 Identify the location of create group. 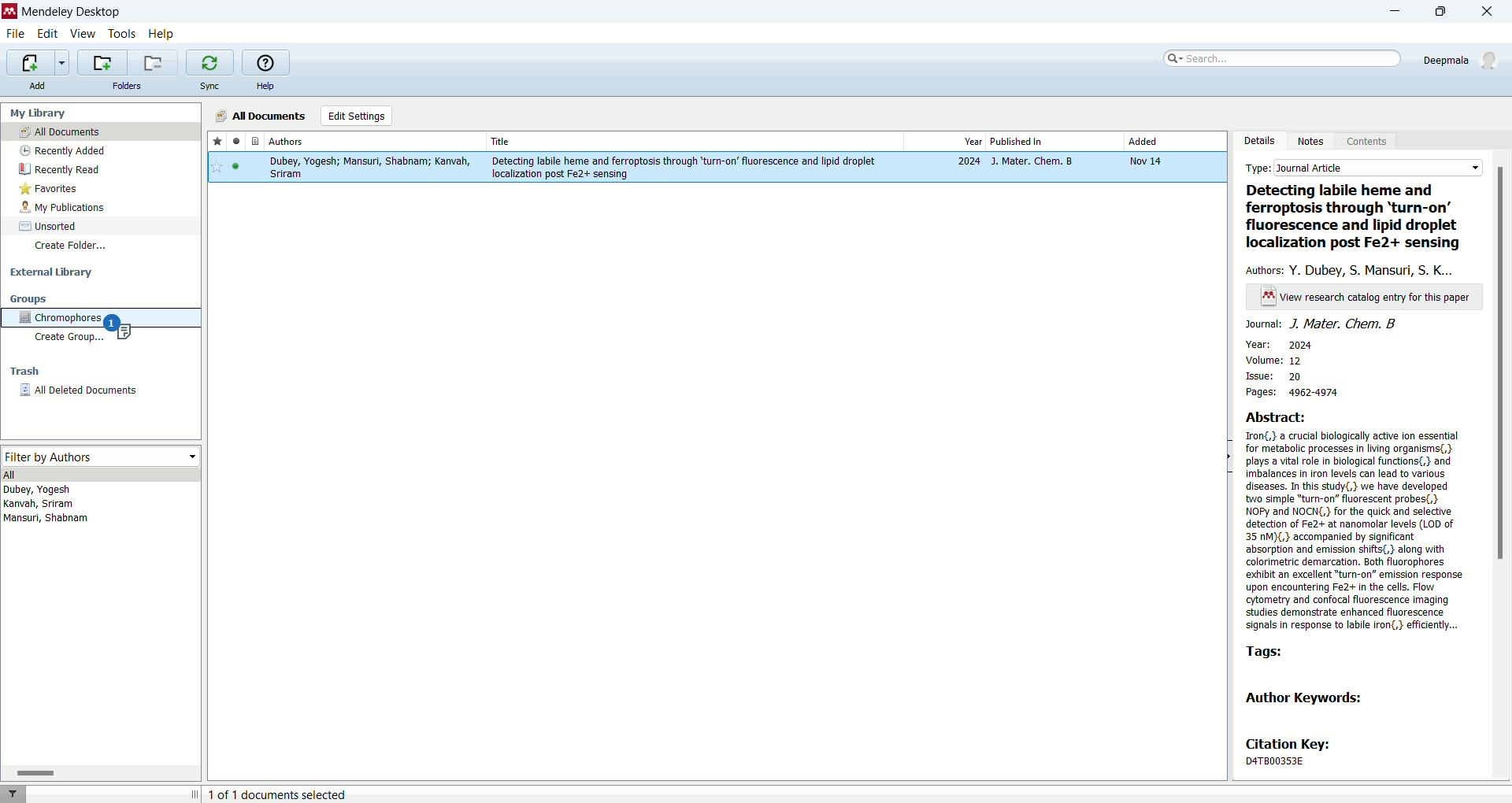
(65, 340).